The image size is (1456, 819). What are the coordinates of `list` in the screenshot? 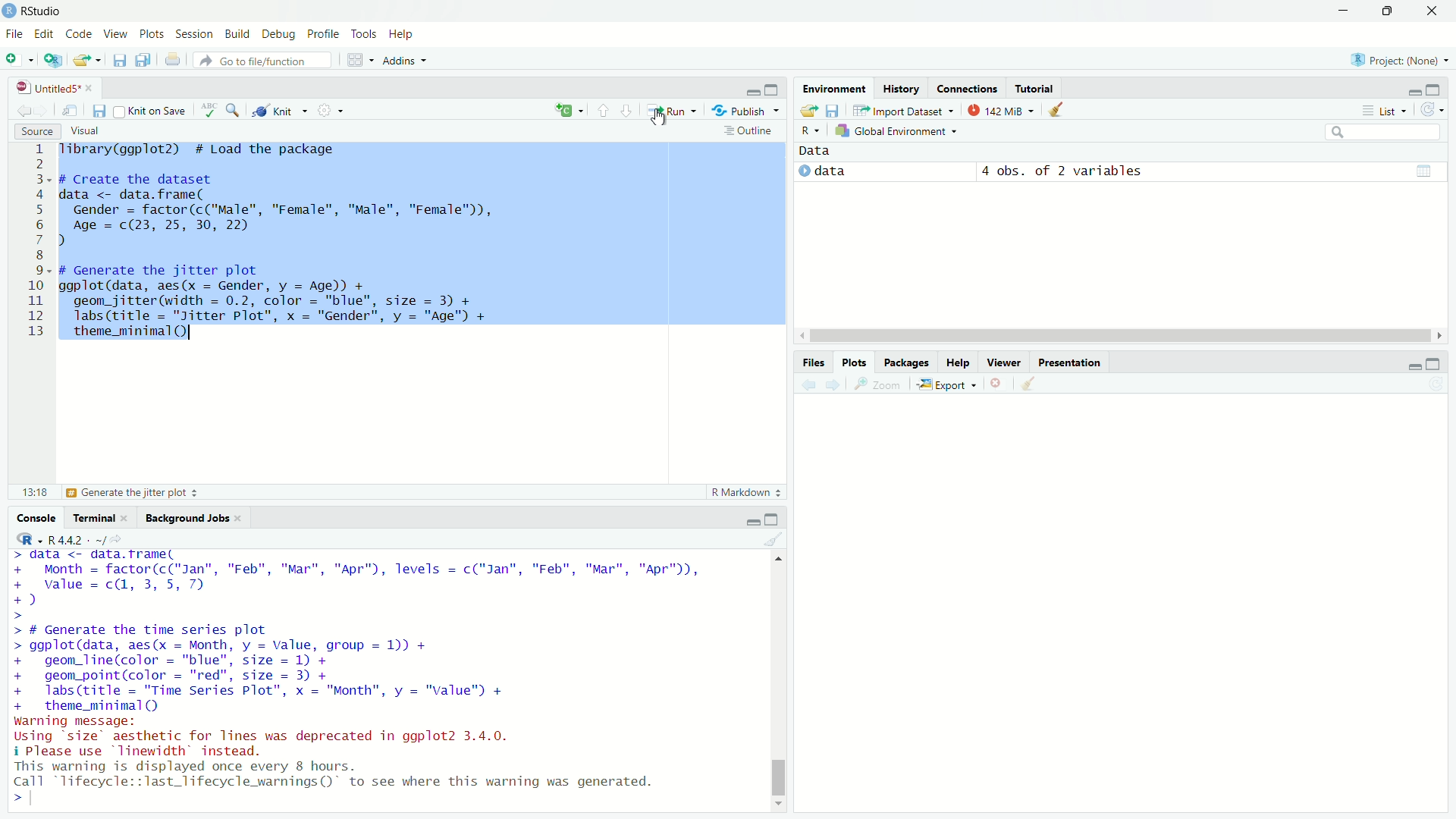 It's located at (1386, 111).